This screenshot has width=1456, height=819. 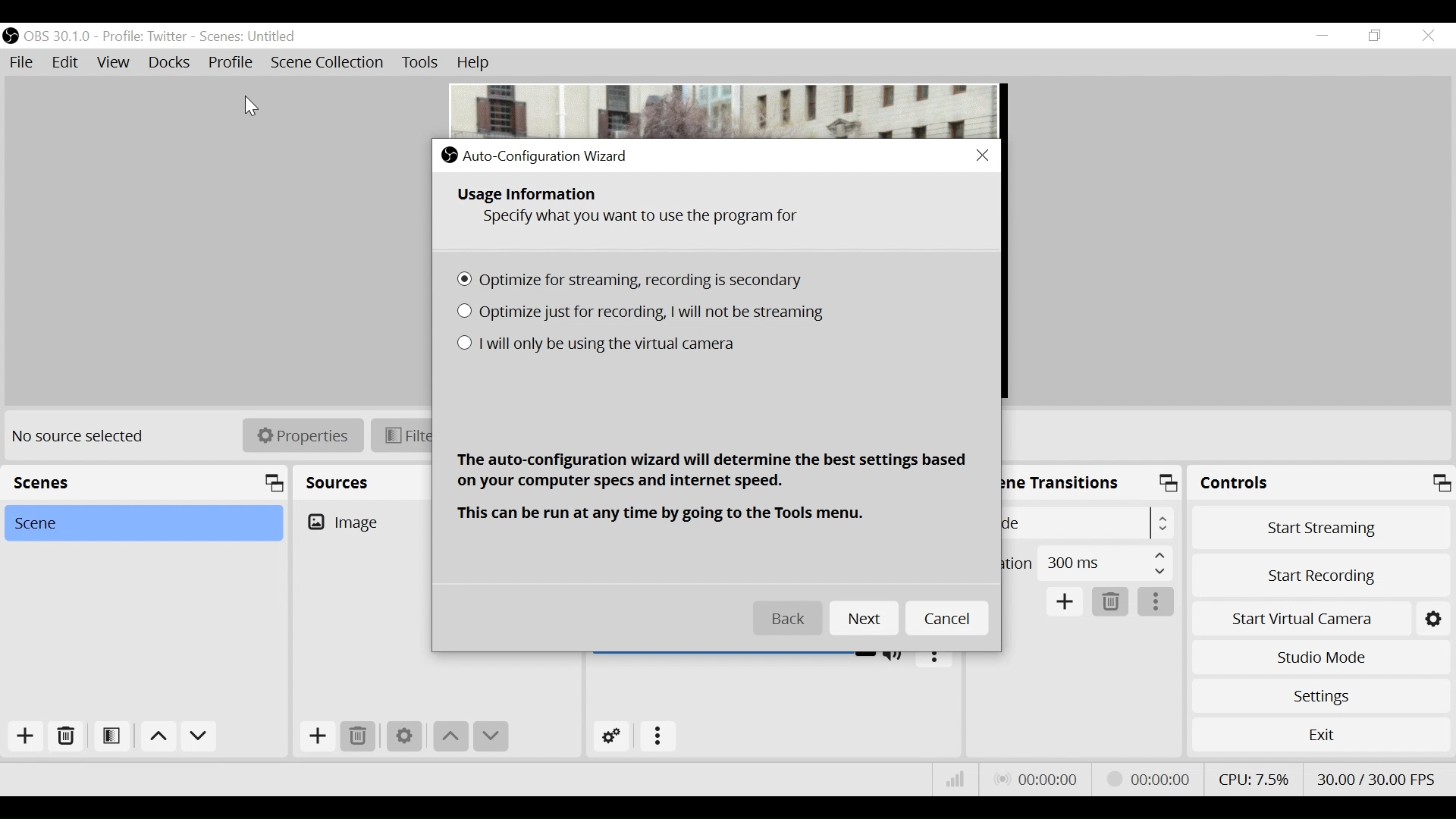 What do you see at coordinates (1319, 617) in the screenshot?
I see `Start Virtual Camera` at bounding box center [1319, 617].